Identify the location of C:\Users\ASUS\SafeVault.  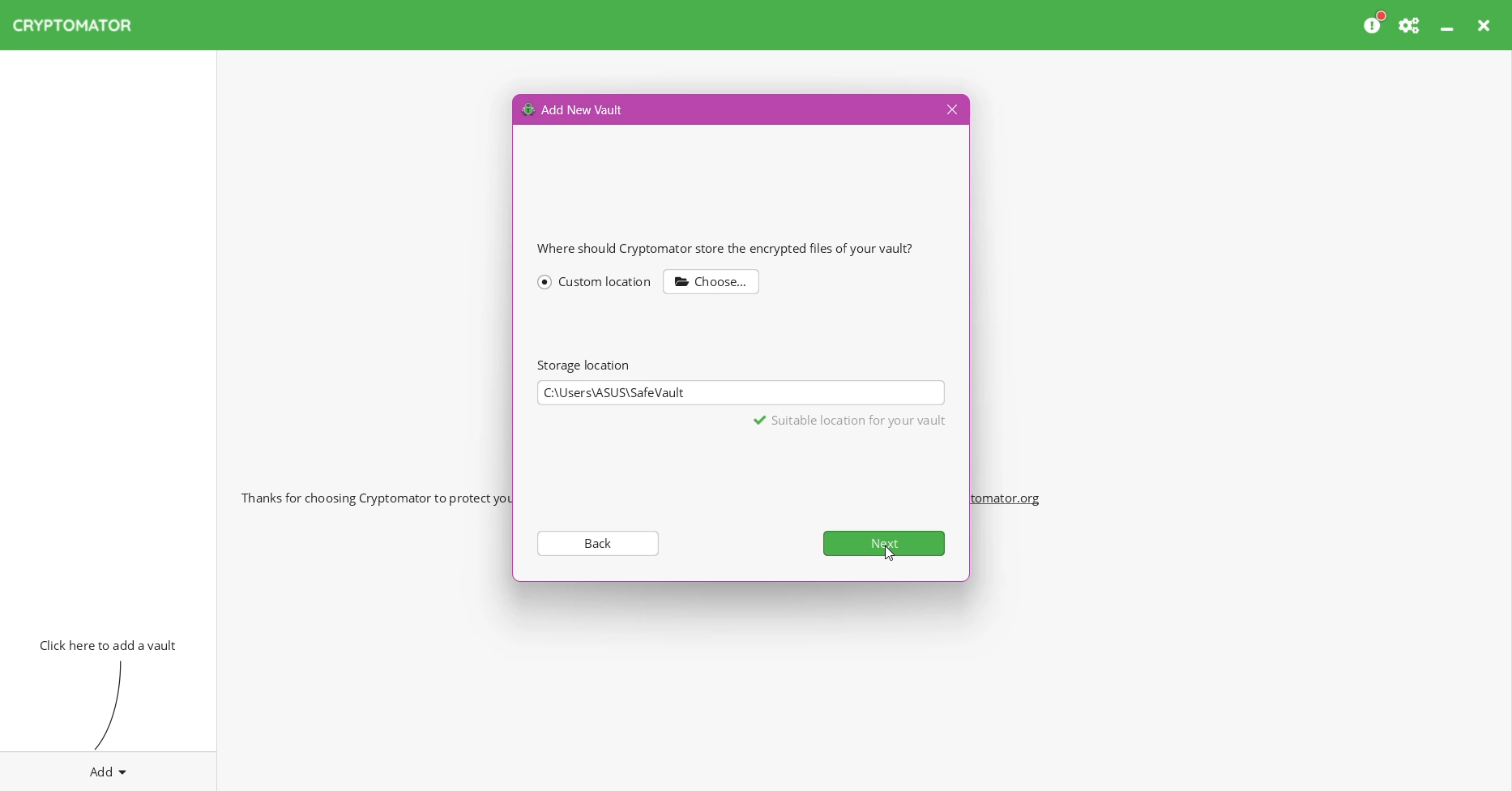
(747, 392).